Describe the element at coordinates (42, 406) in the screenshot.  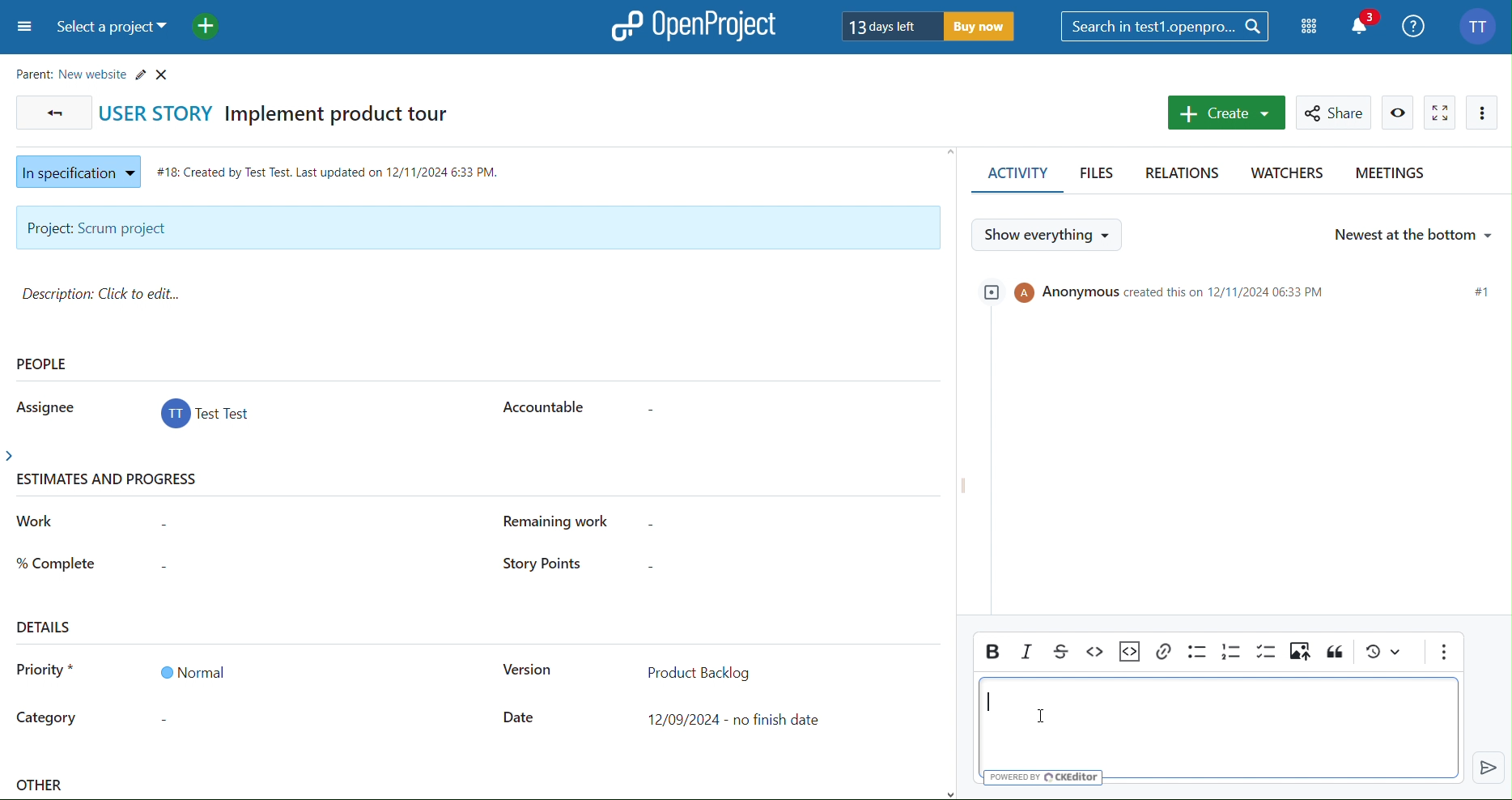
I see `Assignee` at that location.